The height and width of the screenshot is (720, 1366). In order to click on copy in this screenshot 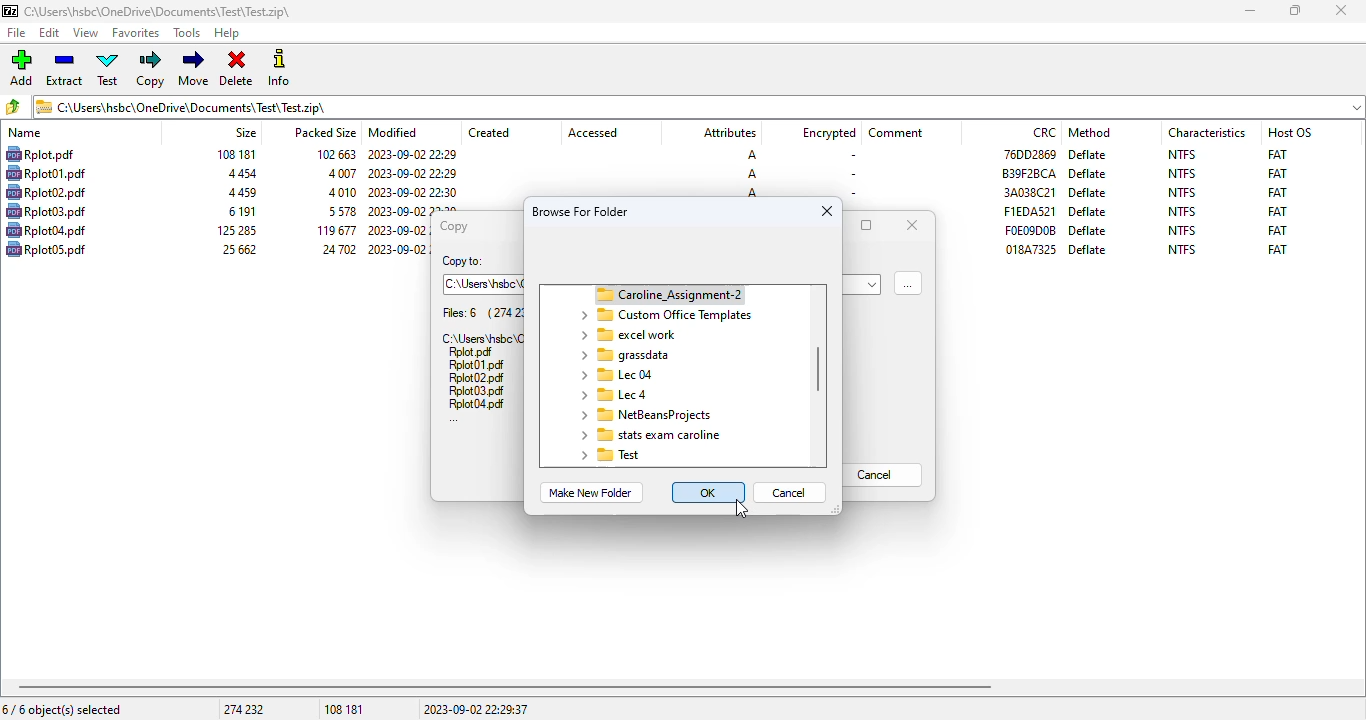, I will do `click(452, 226)`.